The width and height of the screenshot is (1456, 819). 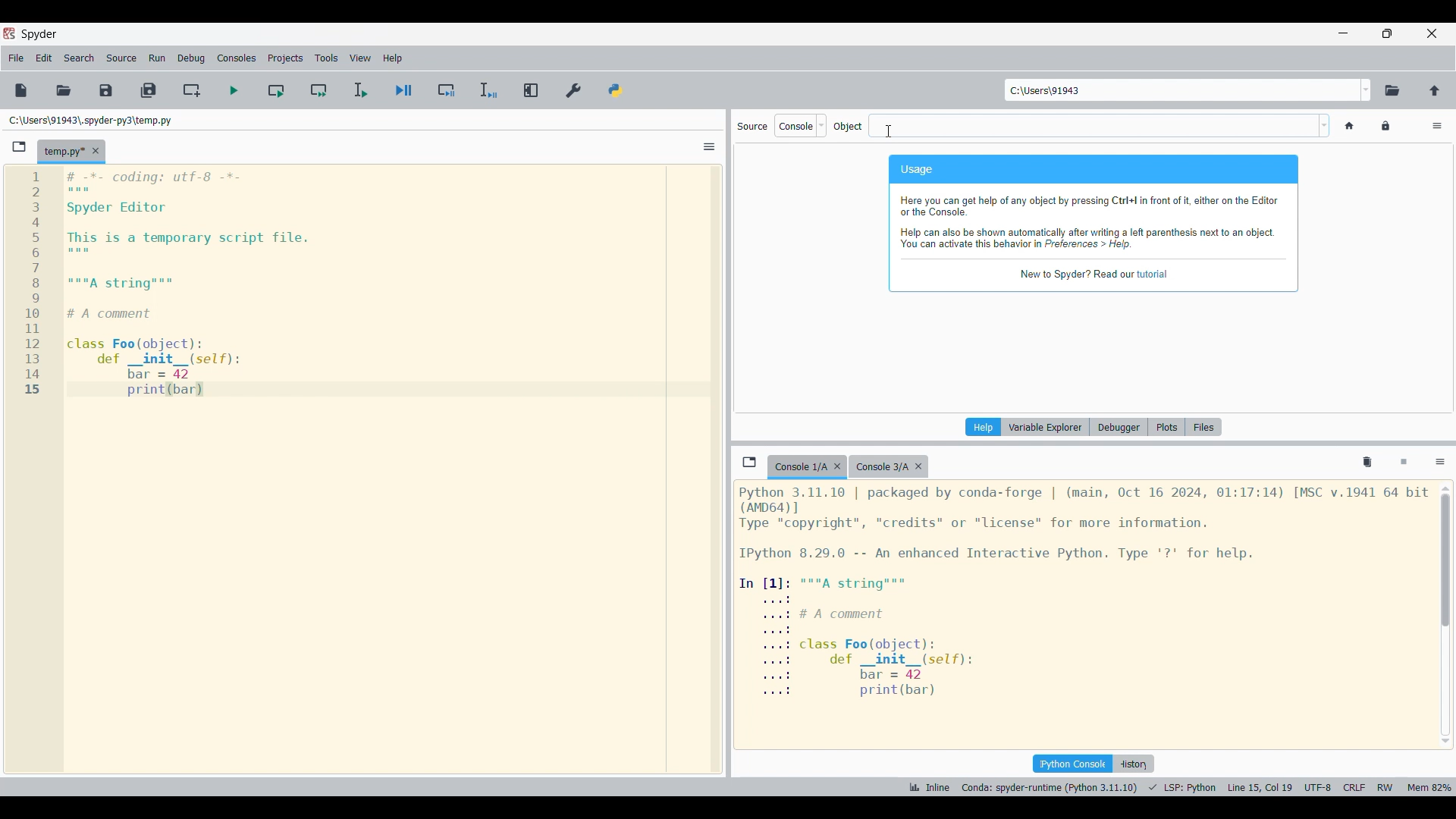 What do you see at coordinates (237, 58) in the screenshot?
I see `Consoles menu` at bounding box center [237, 58].